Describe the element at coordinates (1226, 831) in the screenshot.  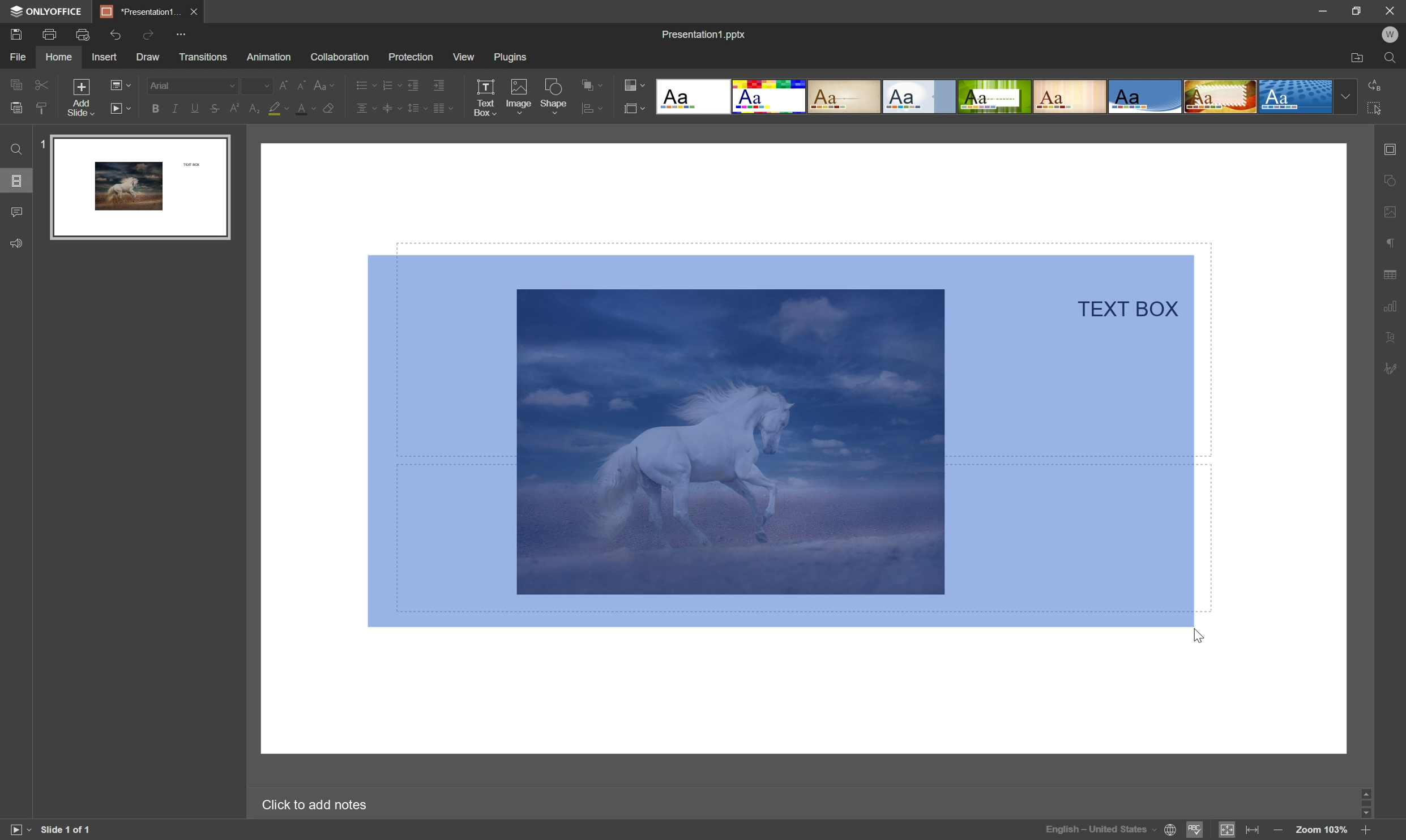
I see `fit to slide` at that location.